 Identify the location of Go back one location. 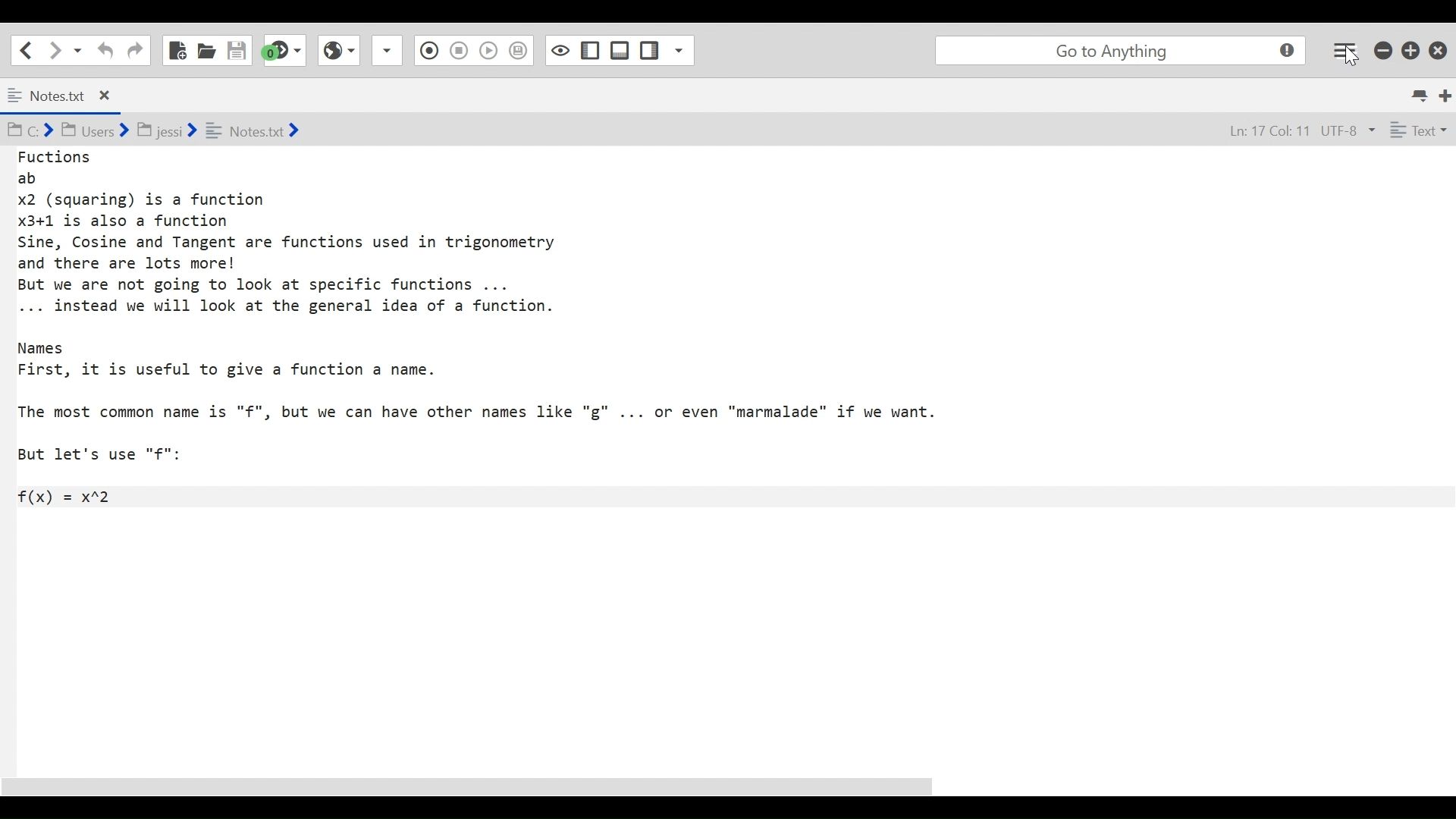
(22, 49).